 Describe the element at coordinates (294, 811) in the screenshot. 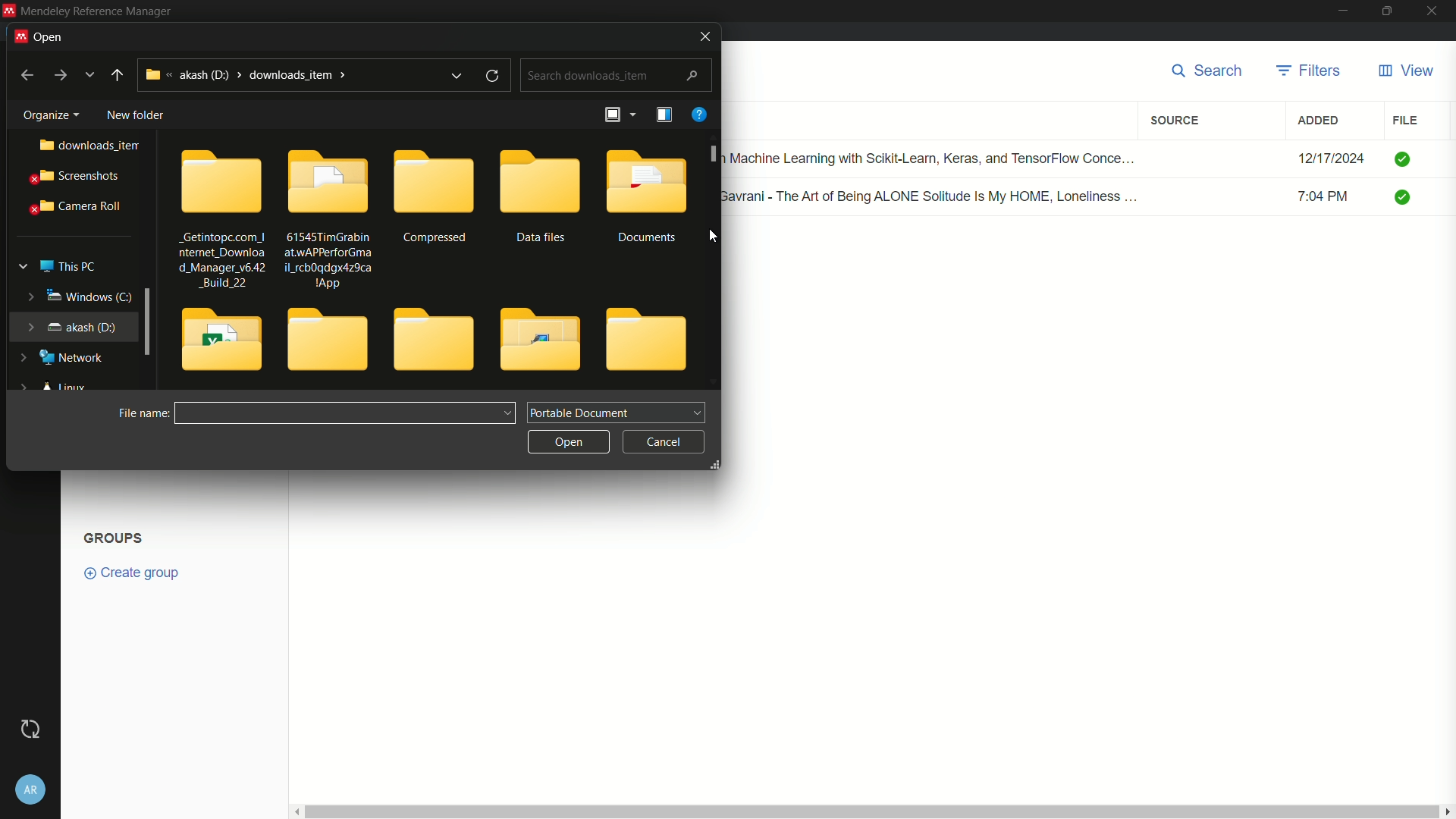

I see `scroll left` at that location.